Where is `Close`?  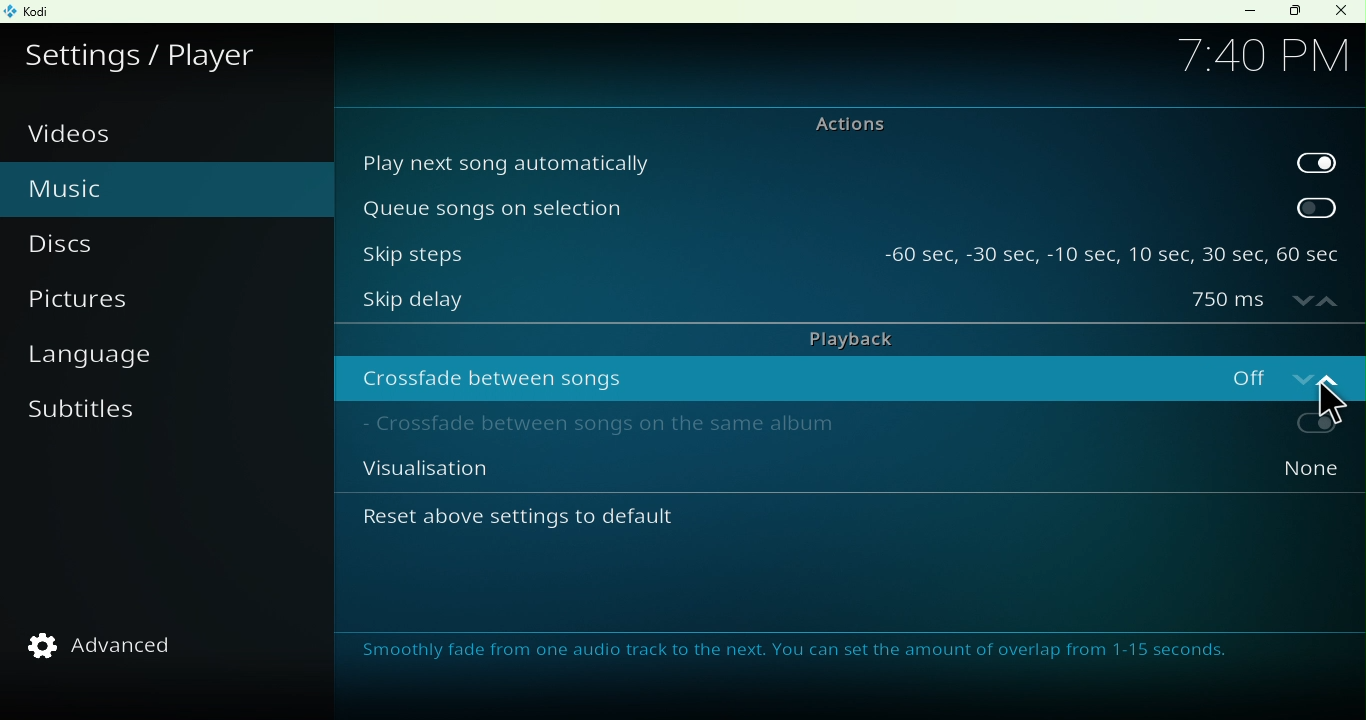 Close is located at coordinates (1340, 12).